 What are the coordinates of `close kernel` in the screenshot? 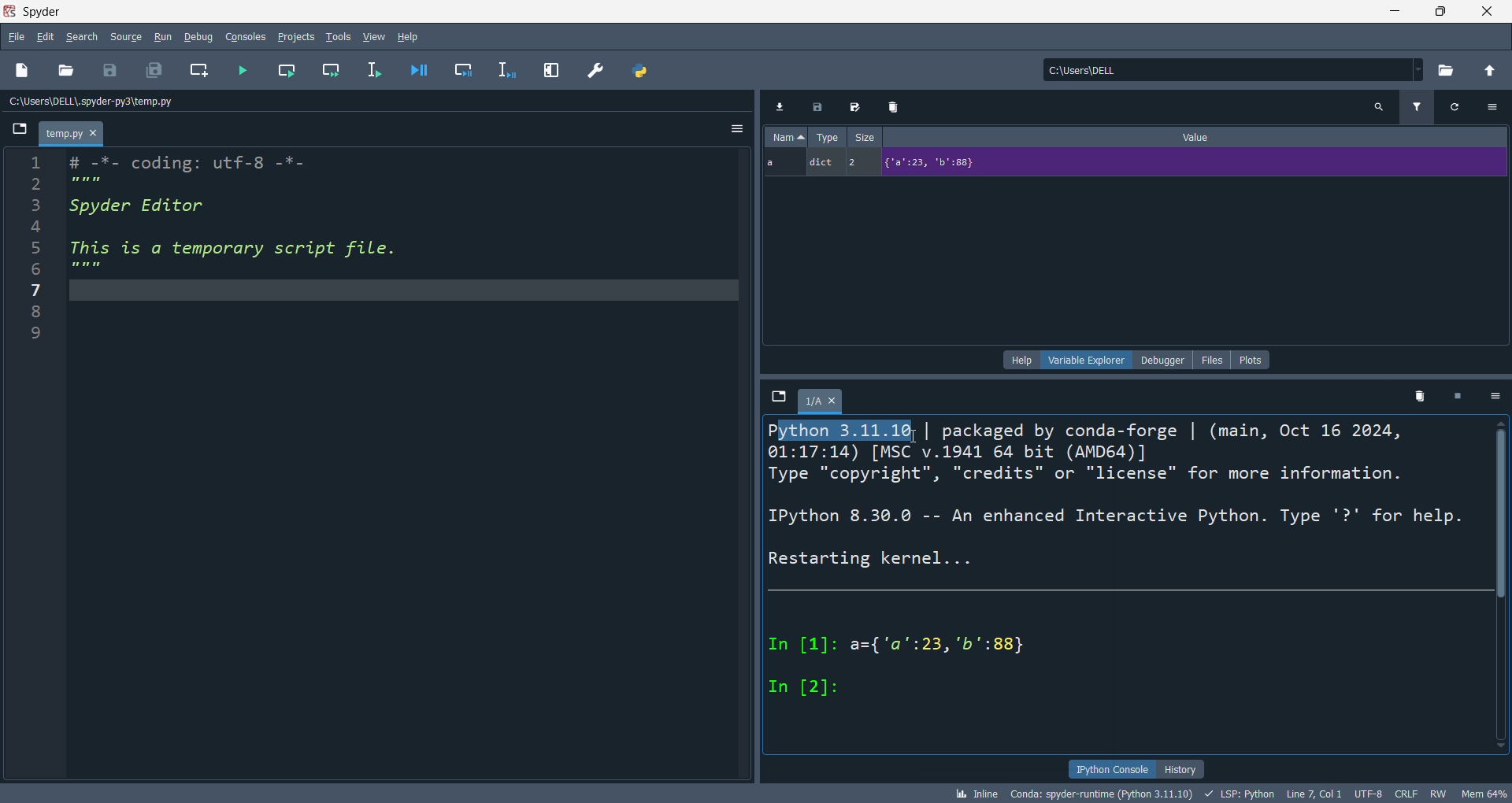 It's located at (1462, 395).